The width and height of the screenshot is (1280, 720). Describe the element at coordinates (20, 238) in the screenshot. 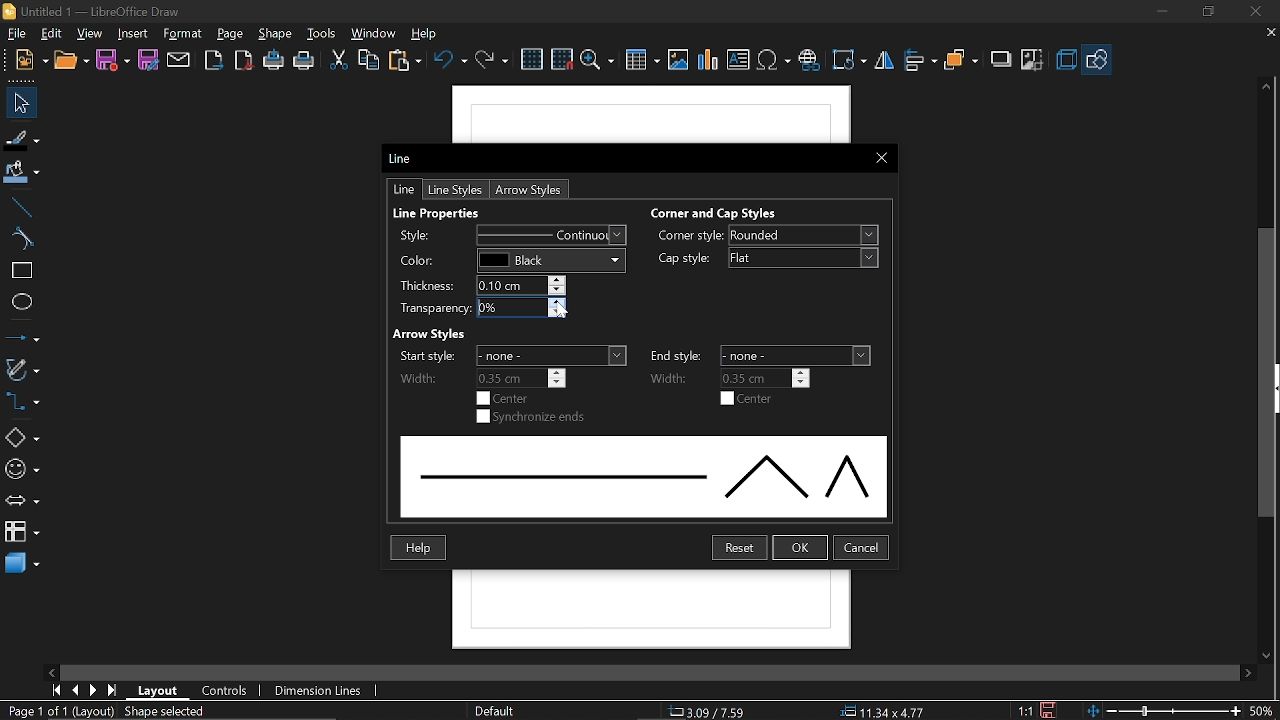

I see `curve` at that location.